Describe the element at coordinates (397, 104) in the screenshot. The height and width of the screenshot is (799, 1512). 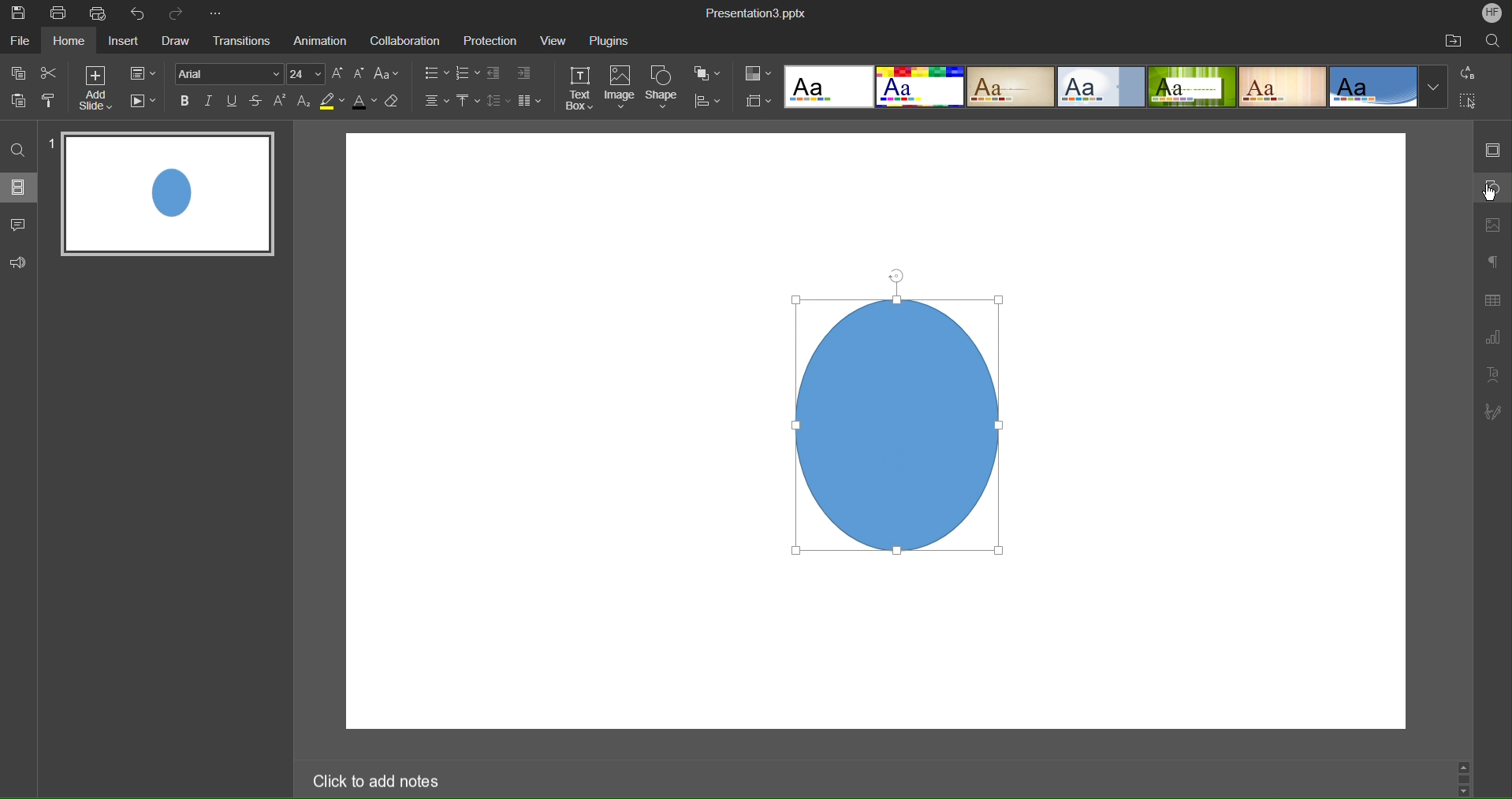
I see `Erase Style` at that location.